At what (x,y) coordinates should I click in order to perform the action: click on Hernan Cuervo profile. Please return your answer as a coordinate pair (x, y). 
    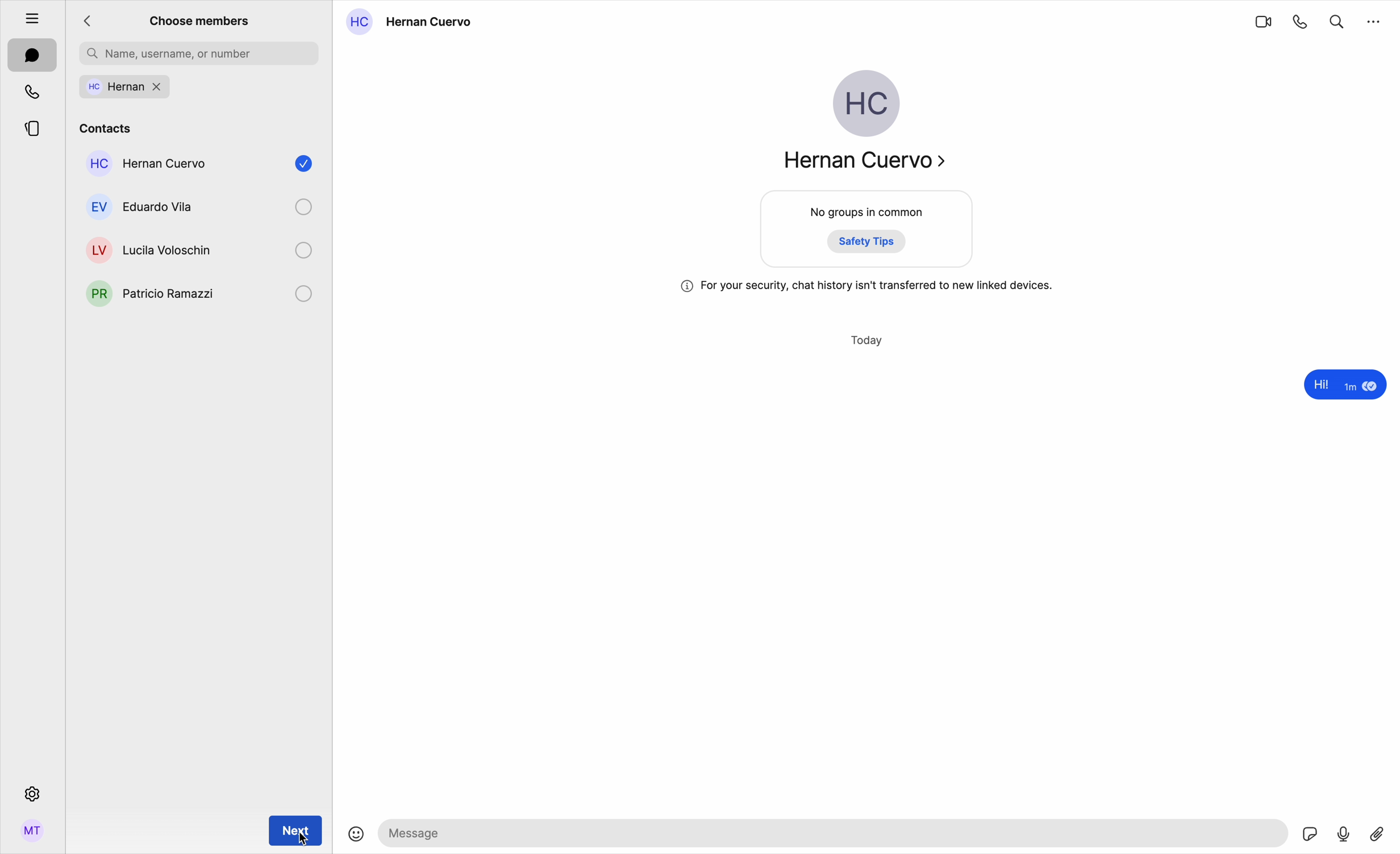
    Looking at the image, I should click on (862, 126).